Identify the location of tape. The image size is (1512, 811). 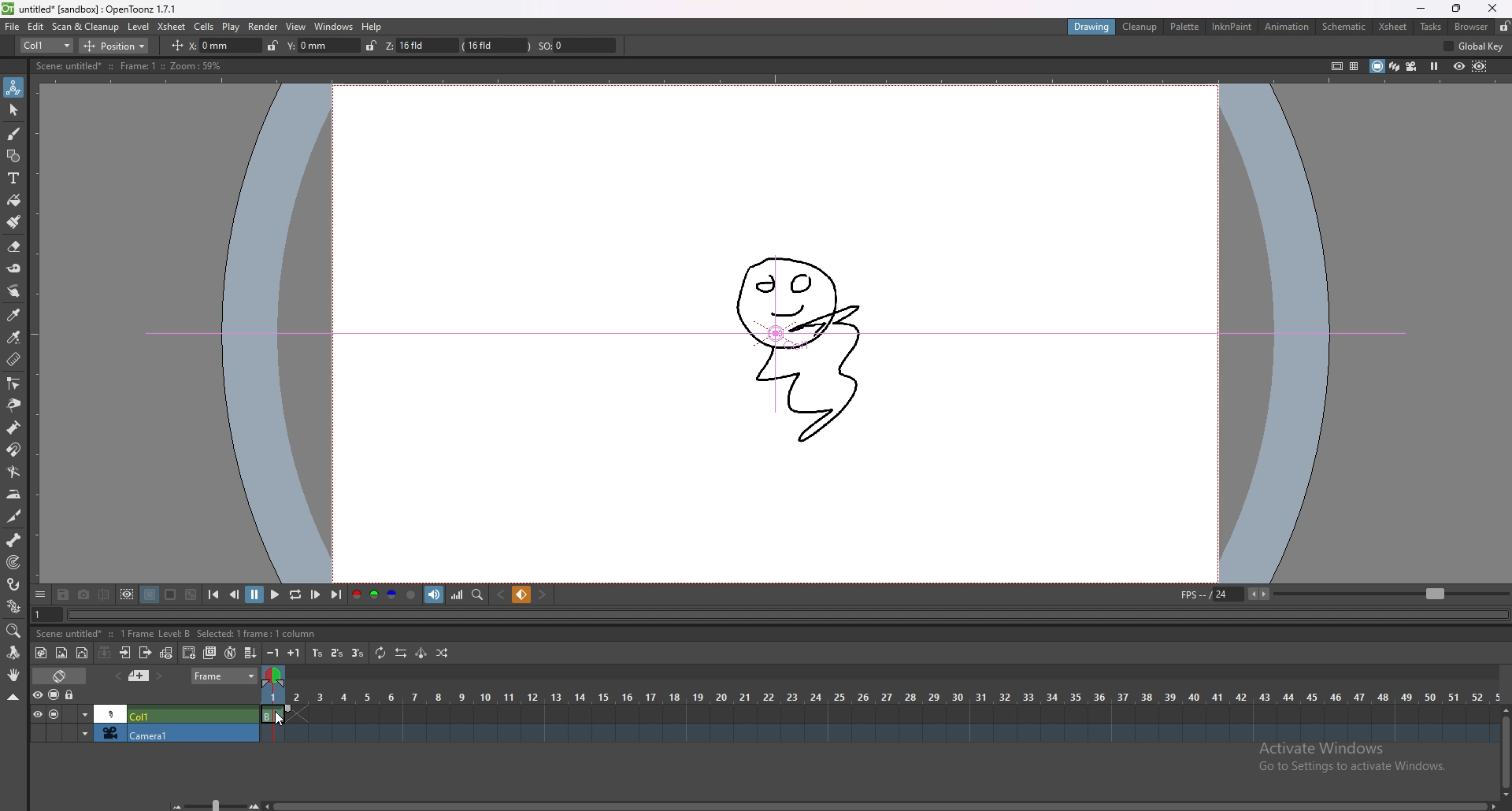
(14, 268).